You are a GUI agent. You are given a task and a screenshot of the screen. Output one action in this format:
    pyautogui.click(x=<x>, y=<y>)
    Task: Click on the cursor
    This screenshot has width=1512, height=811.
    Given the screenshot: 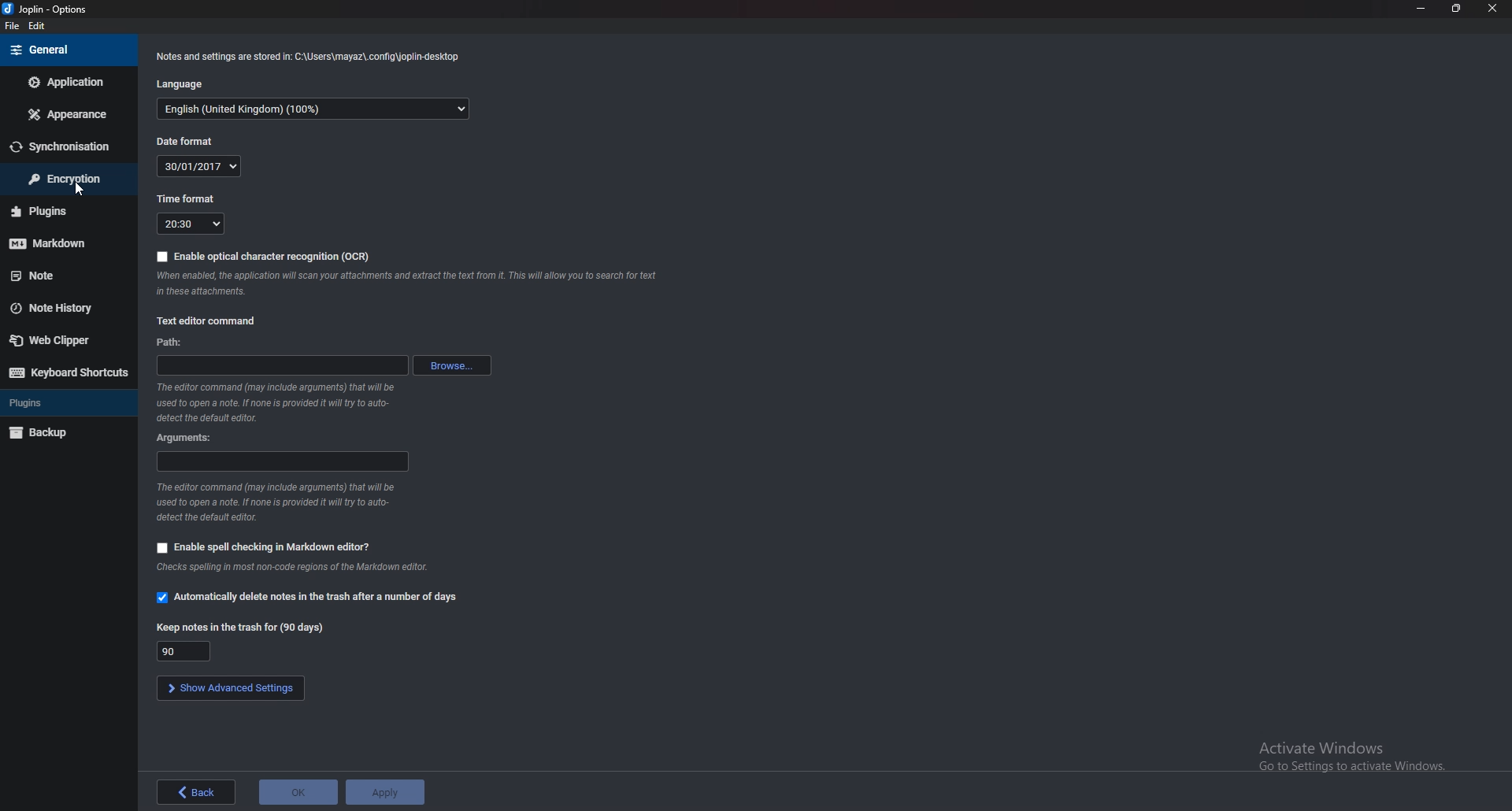 What is the action you would take?
    pyautogui.click(x=82, y=190)
    